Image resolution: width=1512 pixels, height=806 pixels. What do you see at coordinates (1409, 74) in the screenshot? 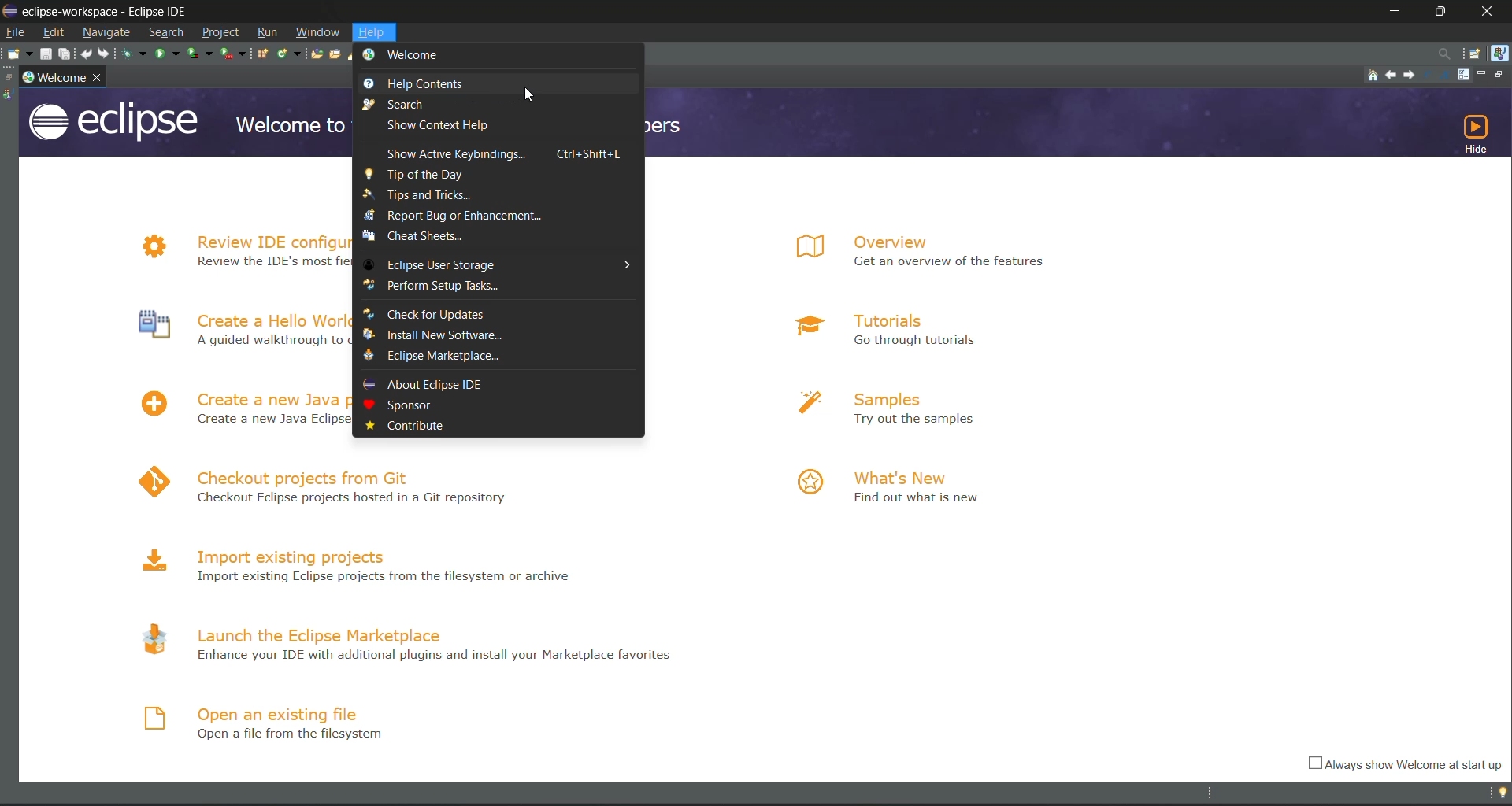
I see `next topic` at bounding box center [1409, 74].